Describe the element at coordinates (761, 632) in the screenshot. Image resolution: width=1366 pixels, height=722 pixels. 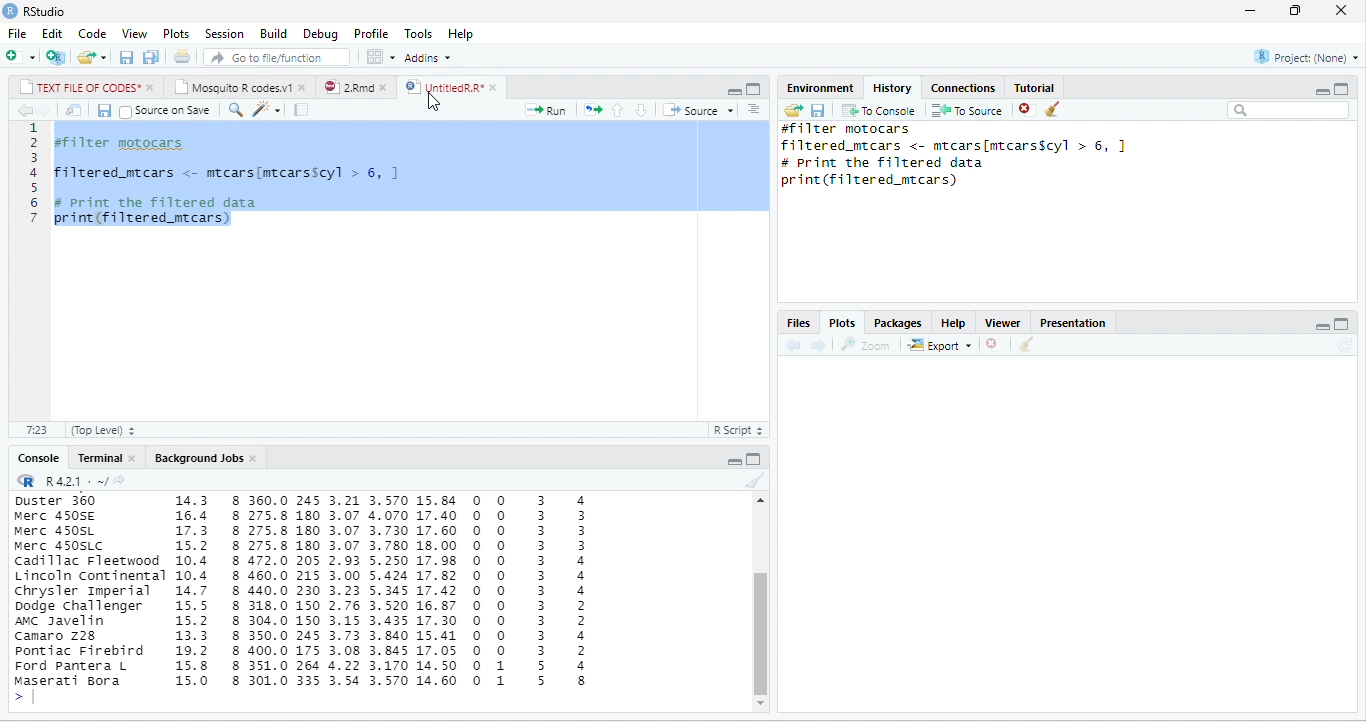
I see `scroll bar` at that location.